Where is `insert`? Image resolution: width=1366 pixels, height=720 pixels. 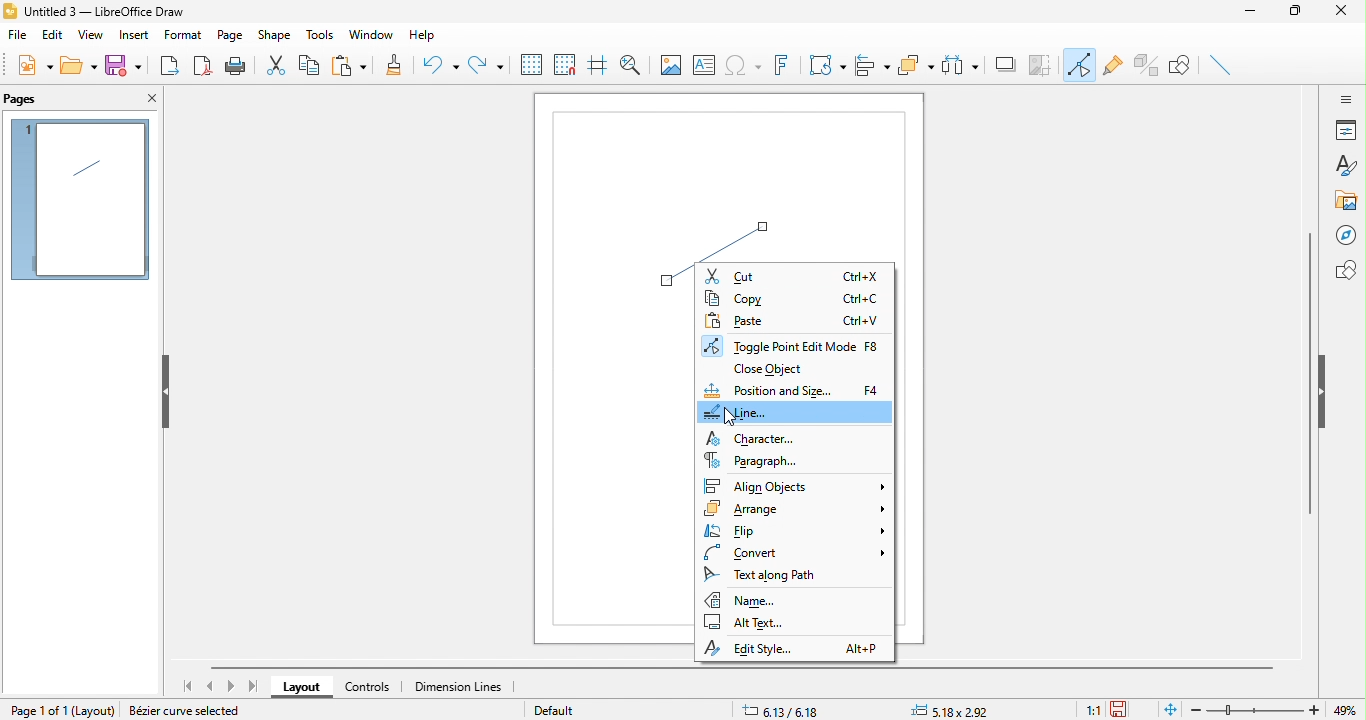
insert is located at coordinates (132, 37).